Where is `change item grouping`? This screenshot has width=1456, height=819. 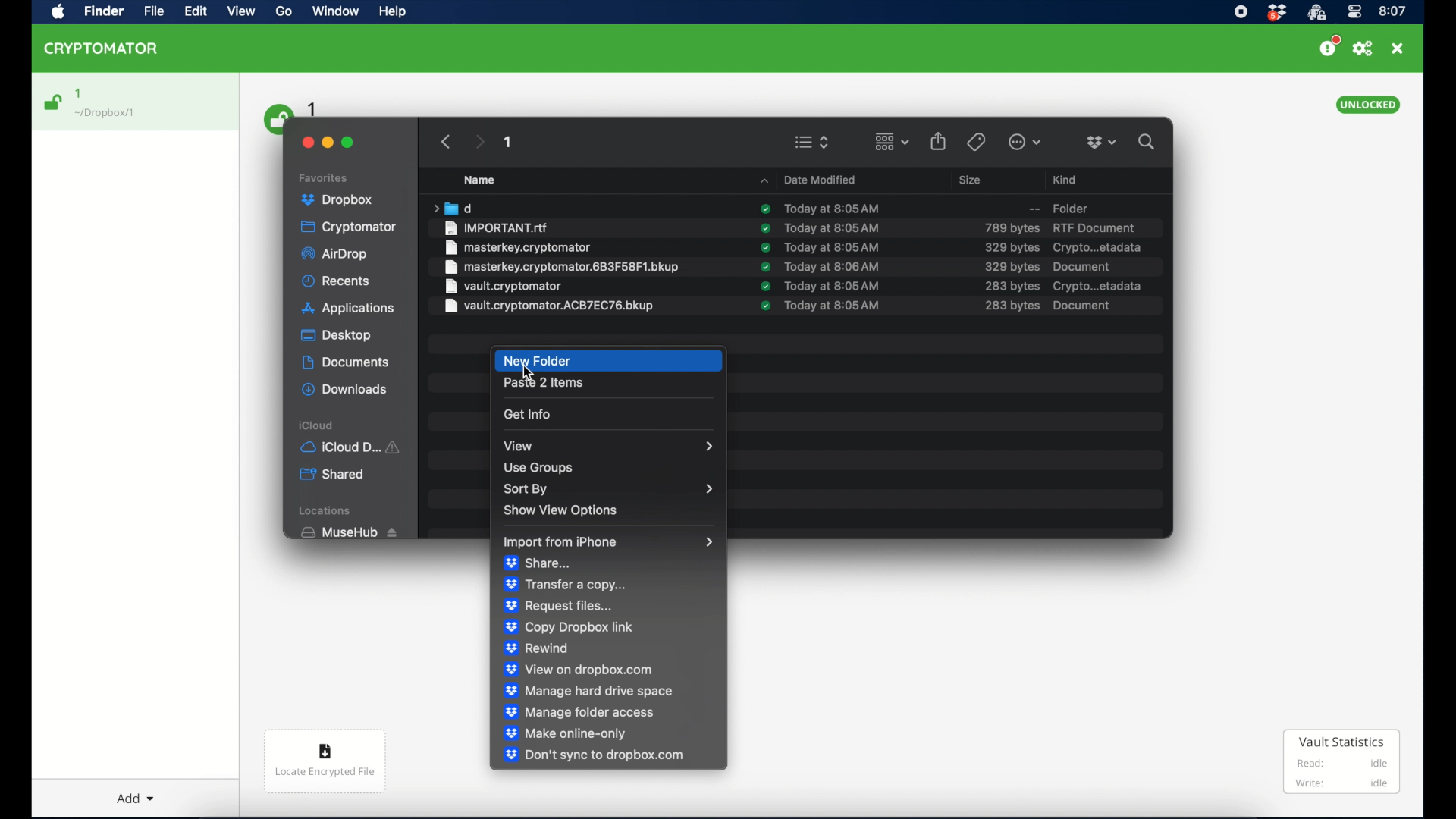
change item grouping is located at coordinates (891, 141).